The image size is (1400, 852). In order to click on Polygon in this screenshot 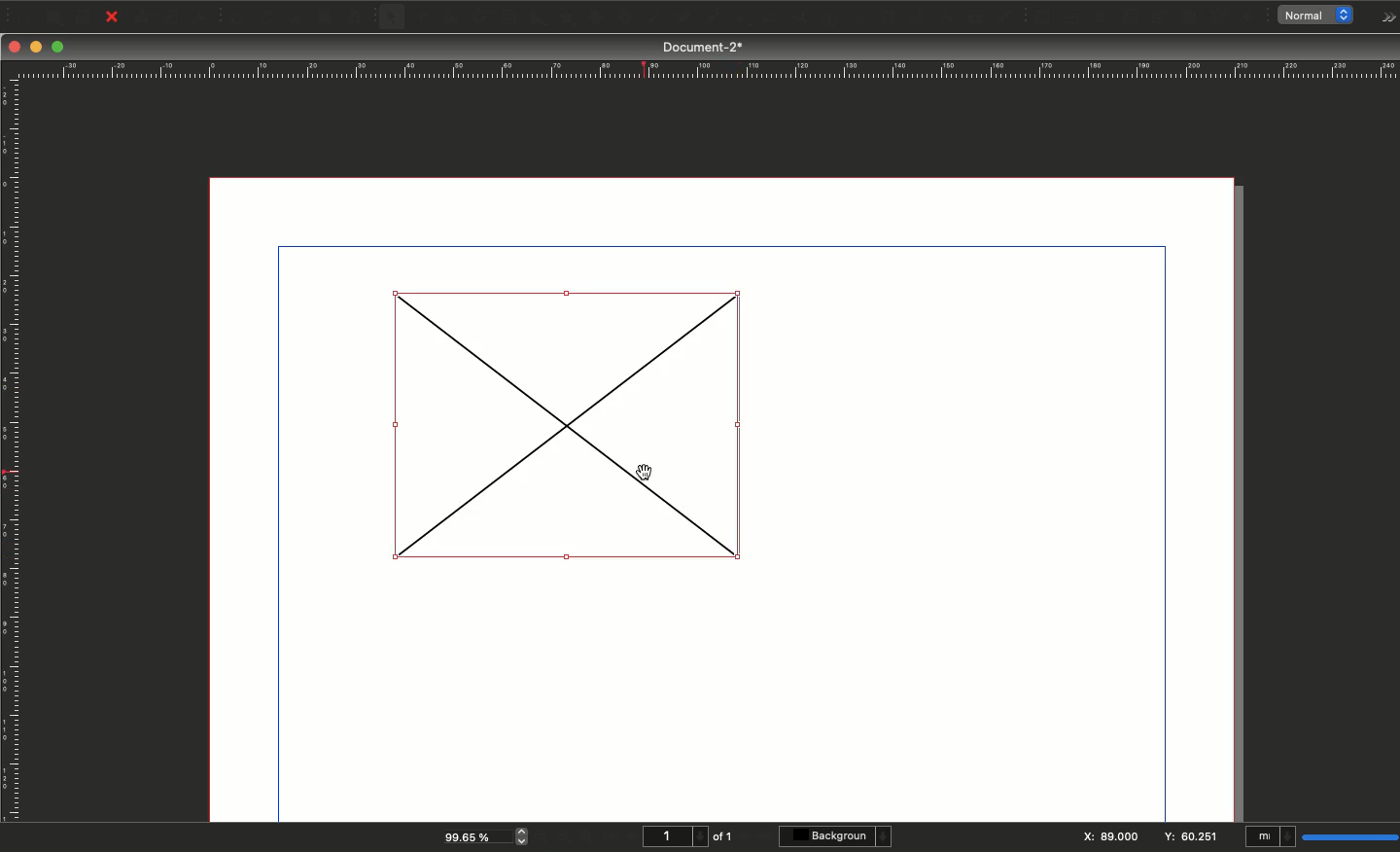, I will do `click(567, 18)`.